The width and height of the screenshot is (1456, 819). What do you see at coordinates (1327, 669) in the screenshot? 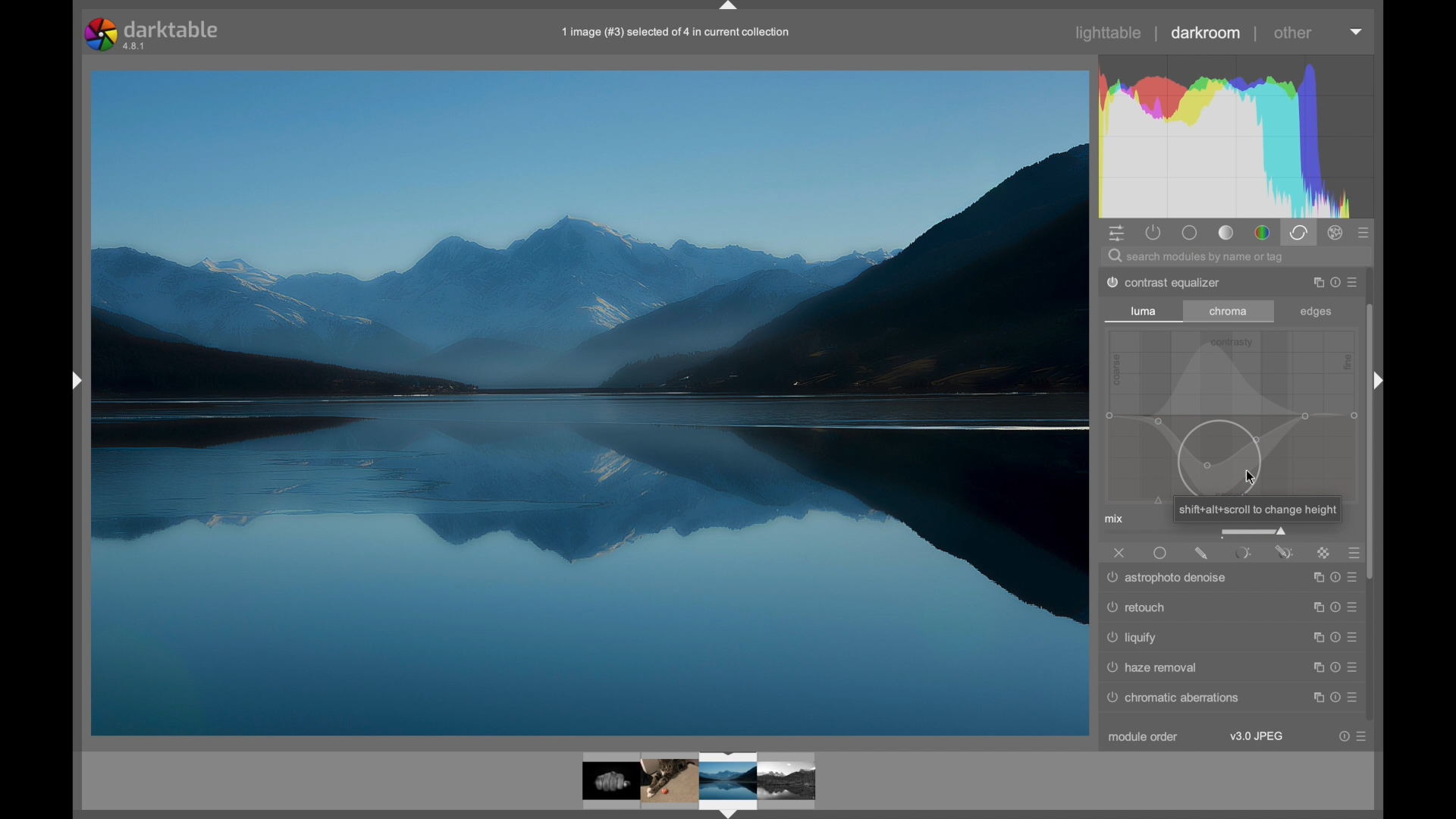
I see `more options` at bounding box center [1327, 669].